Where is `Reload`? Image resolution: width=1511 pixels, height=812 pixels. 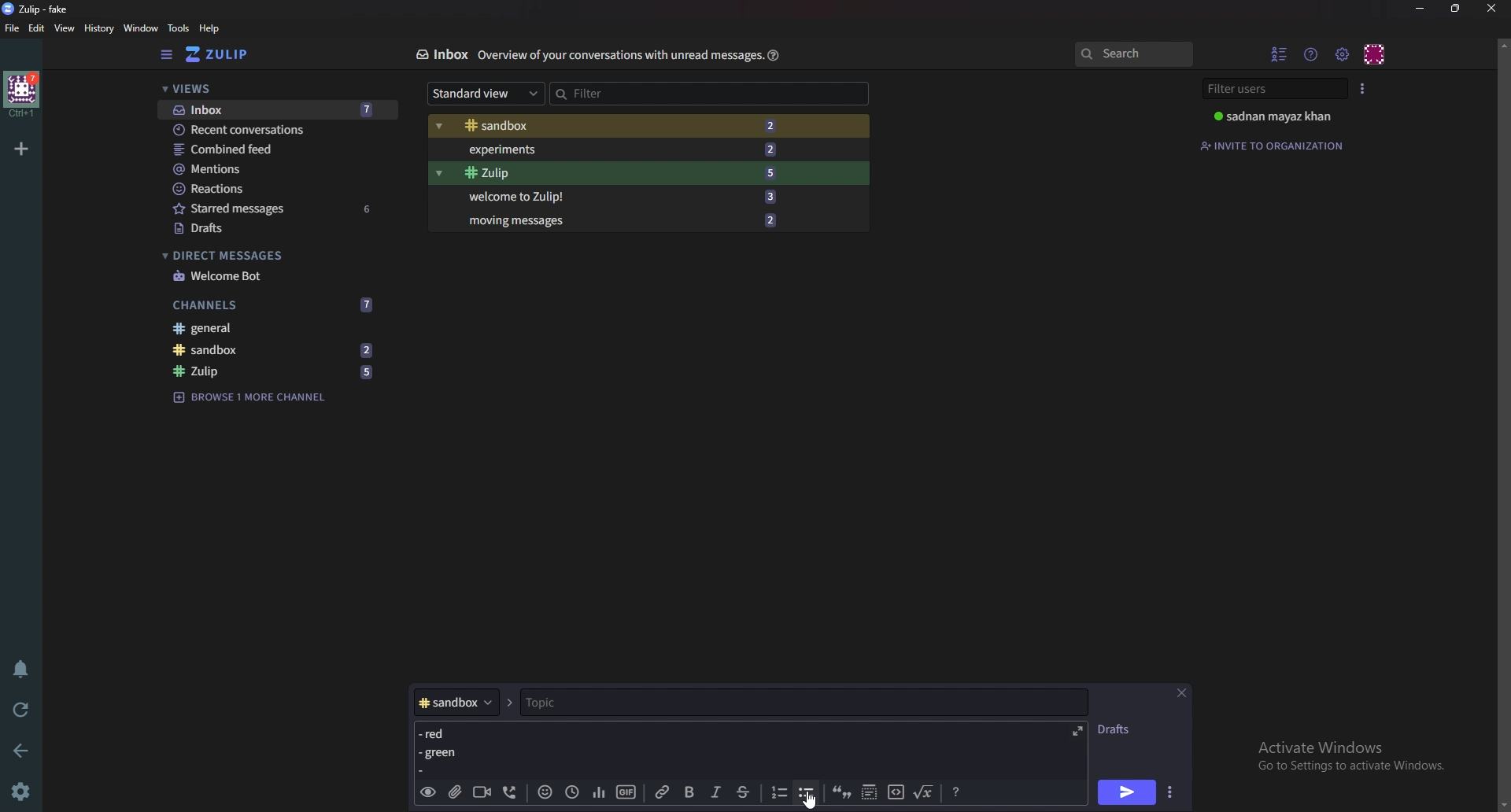
Reload is located at coordinates (21, 710).